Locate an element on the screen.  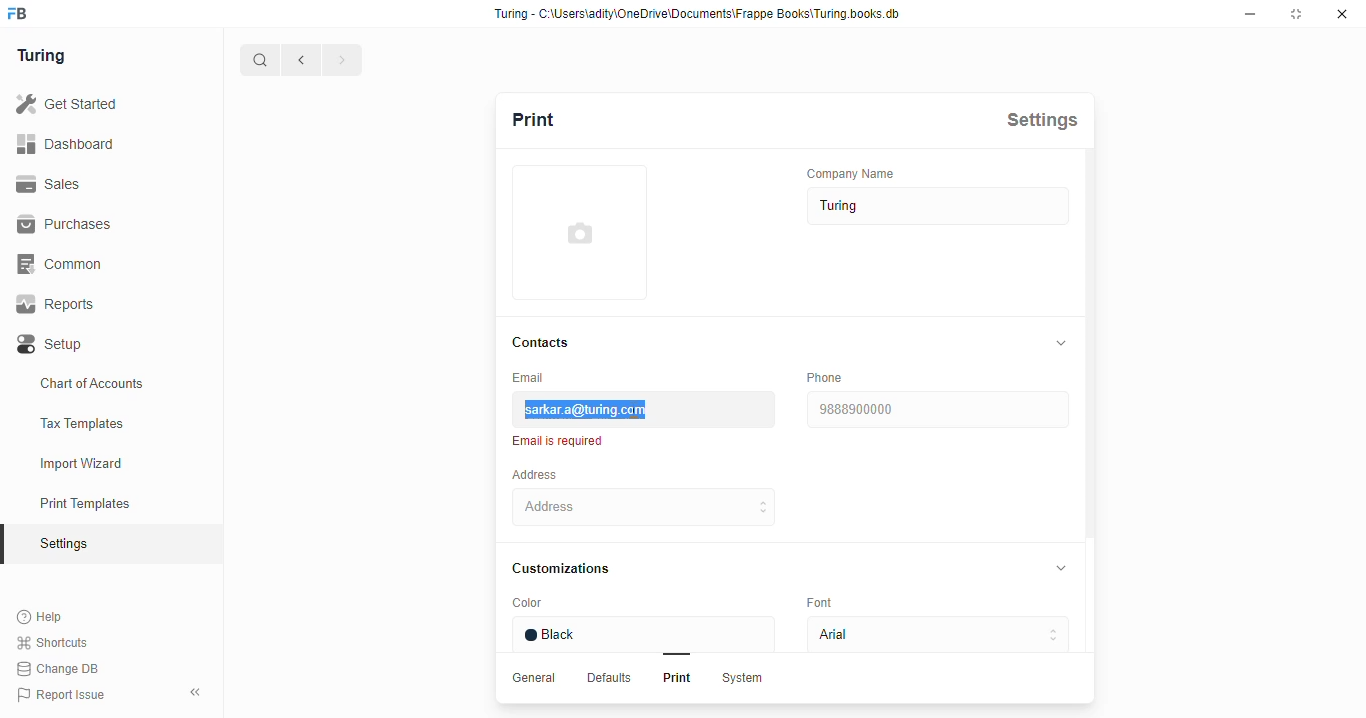
Change DB is located at coordinates (57, 669).